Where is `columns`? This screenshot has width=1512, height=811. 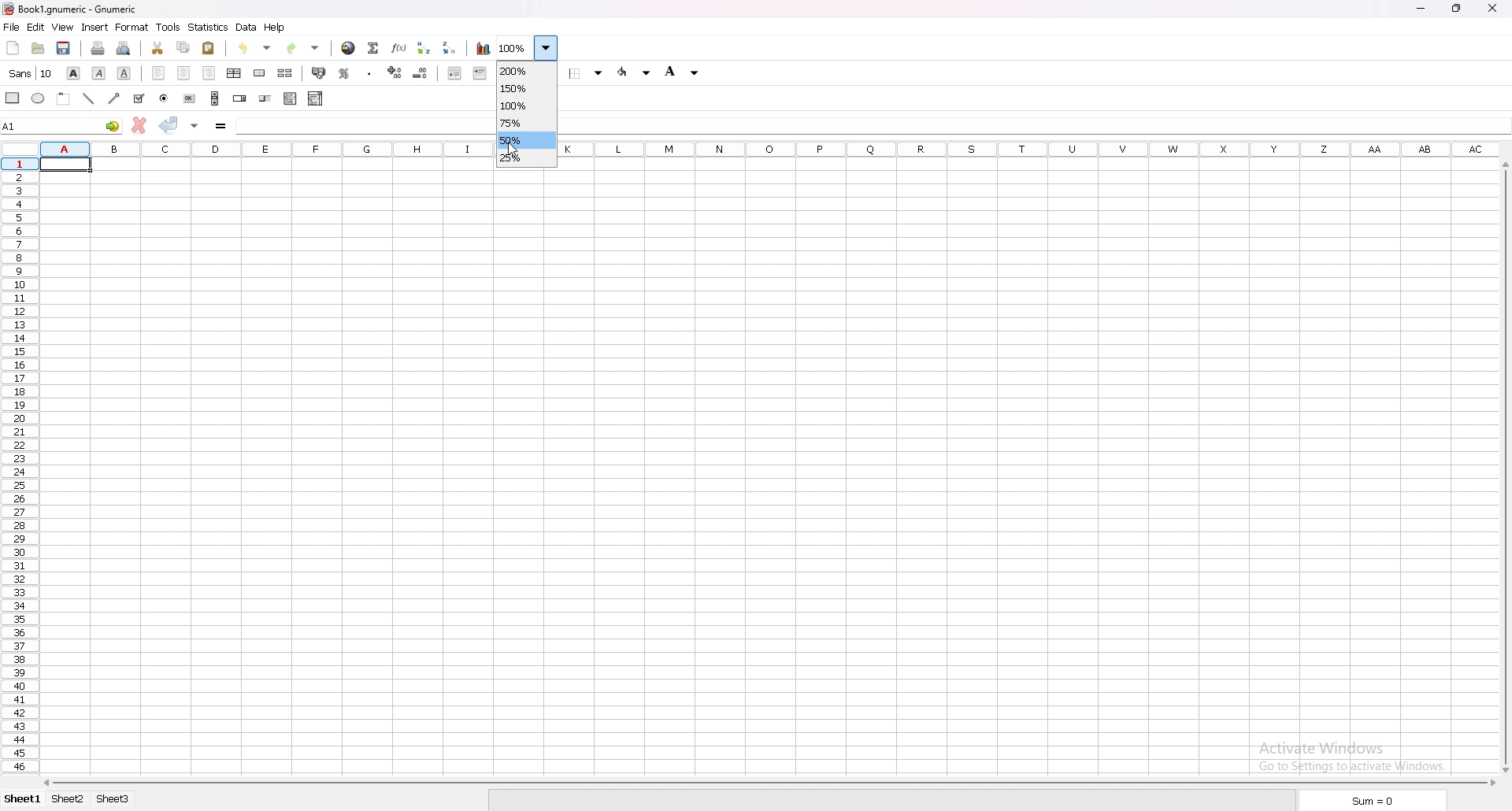
columns is located at coordinates (1028, 150).